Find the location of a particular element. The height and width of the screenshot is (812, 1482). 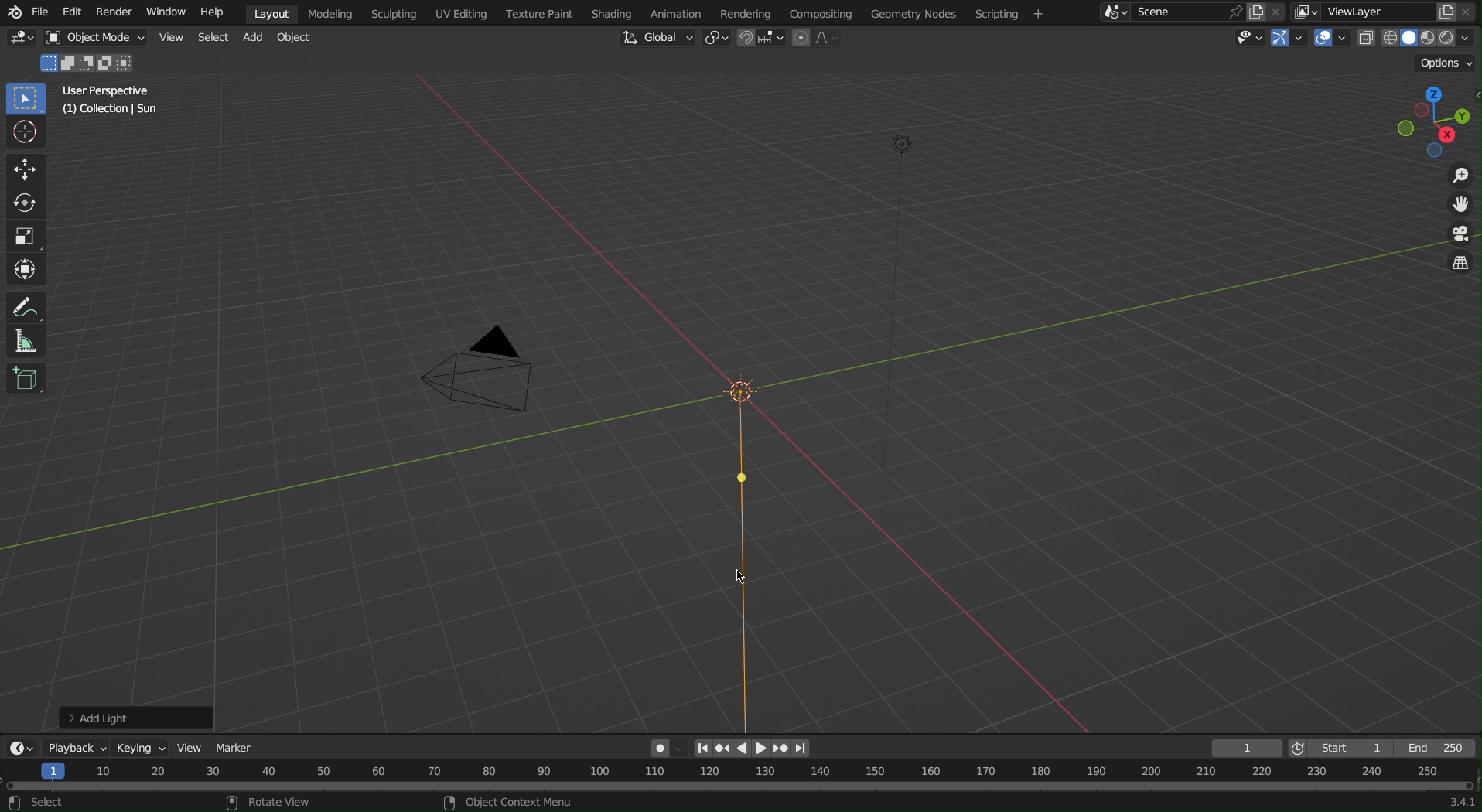

Scripting is located at coordinates (1009, 13).